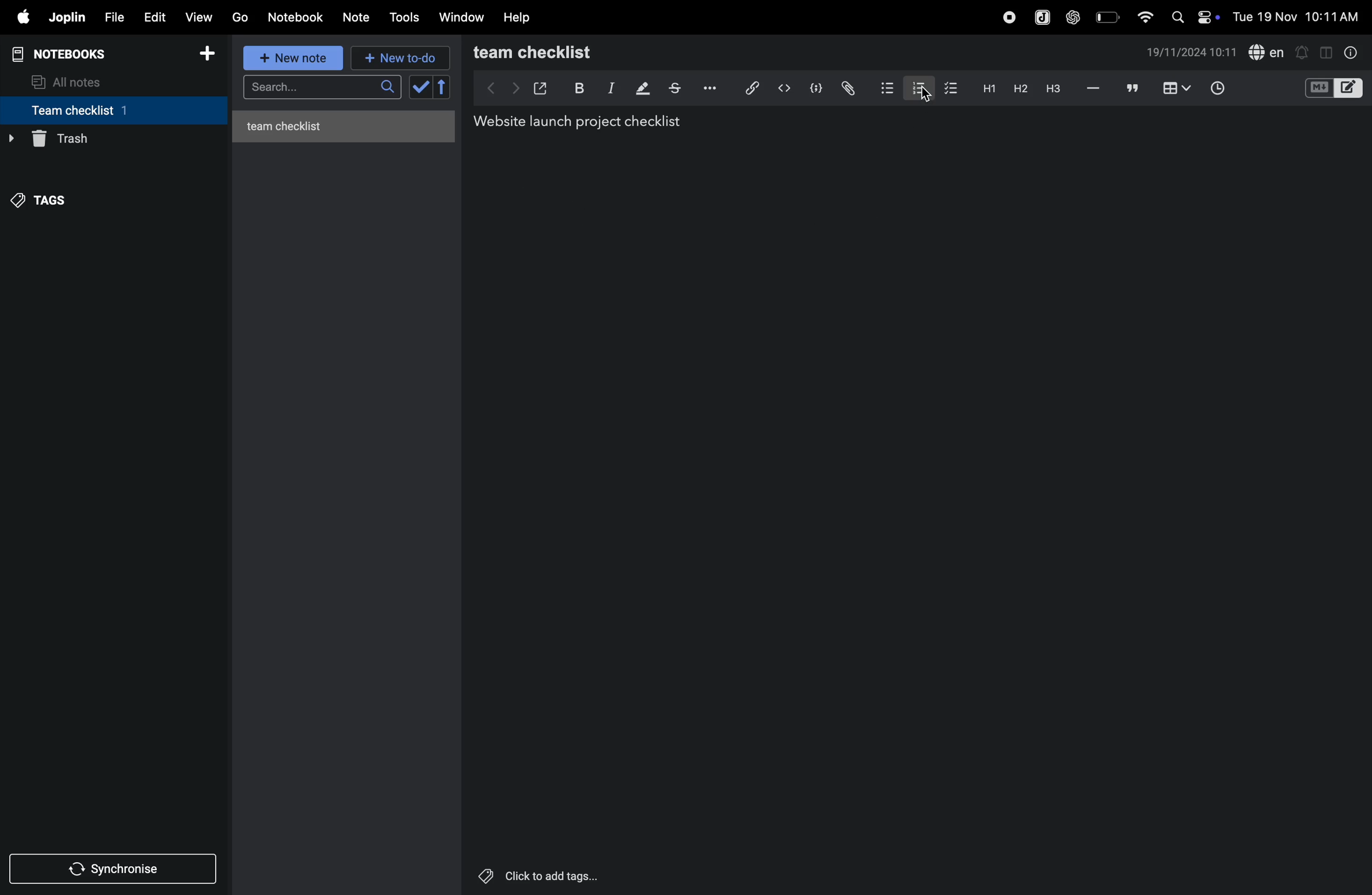  Describe the element at coordinates (1322, 52) in the screenshot. I see `toggle editor` at that location.